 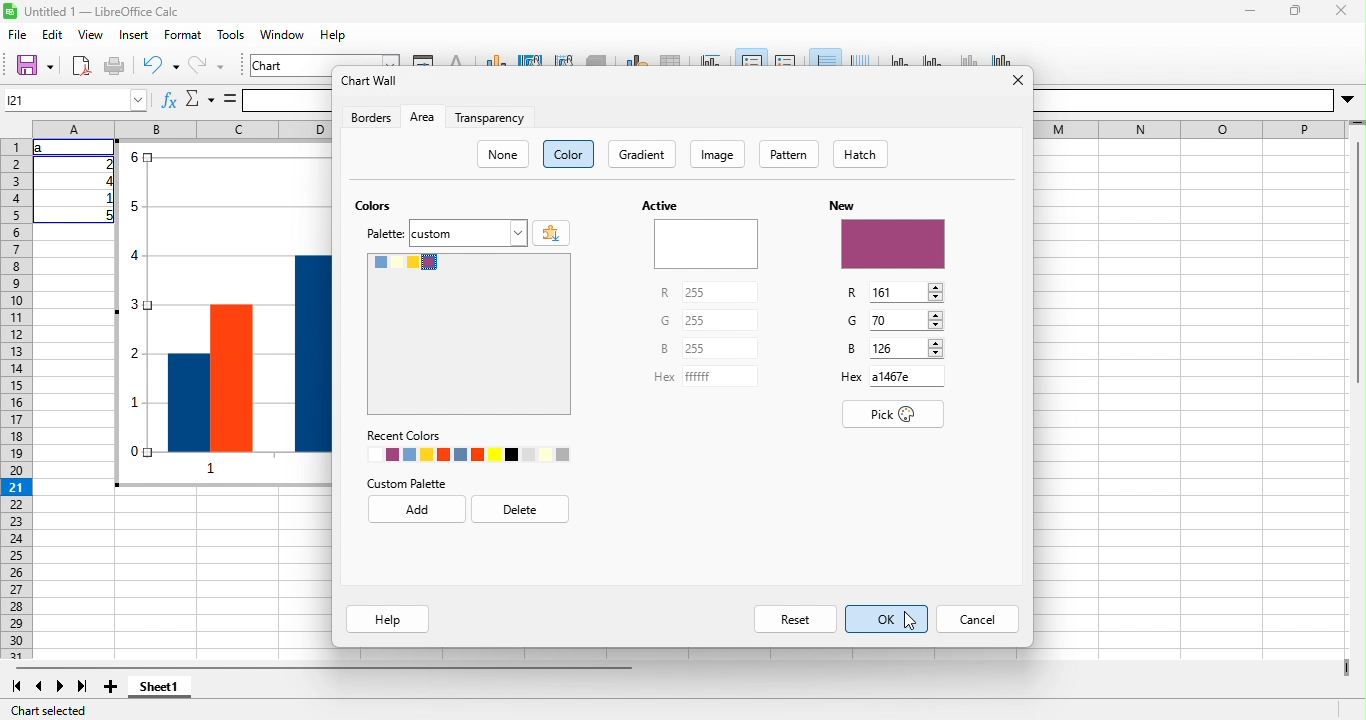 I want to click on data table, so click(x=671, y=59).